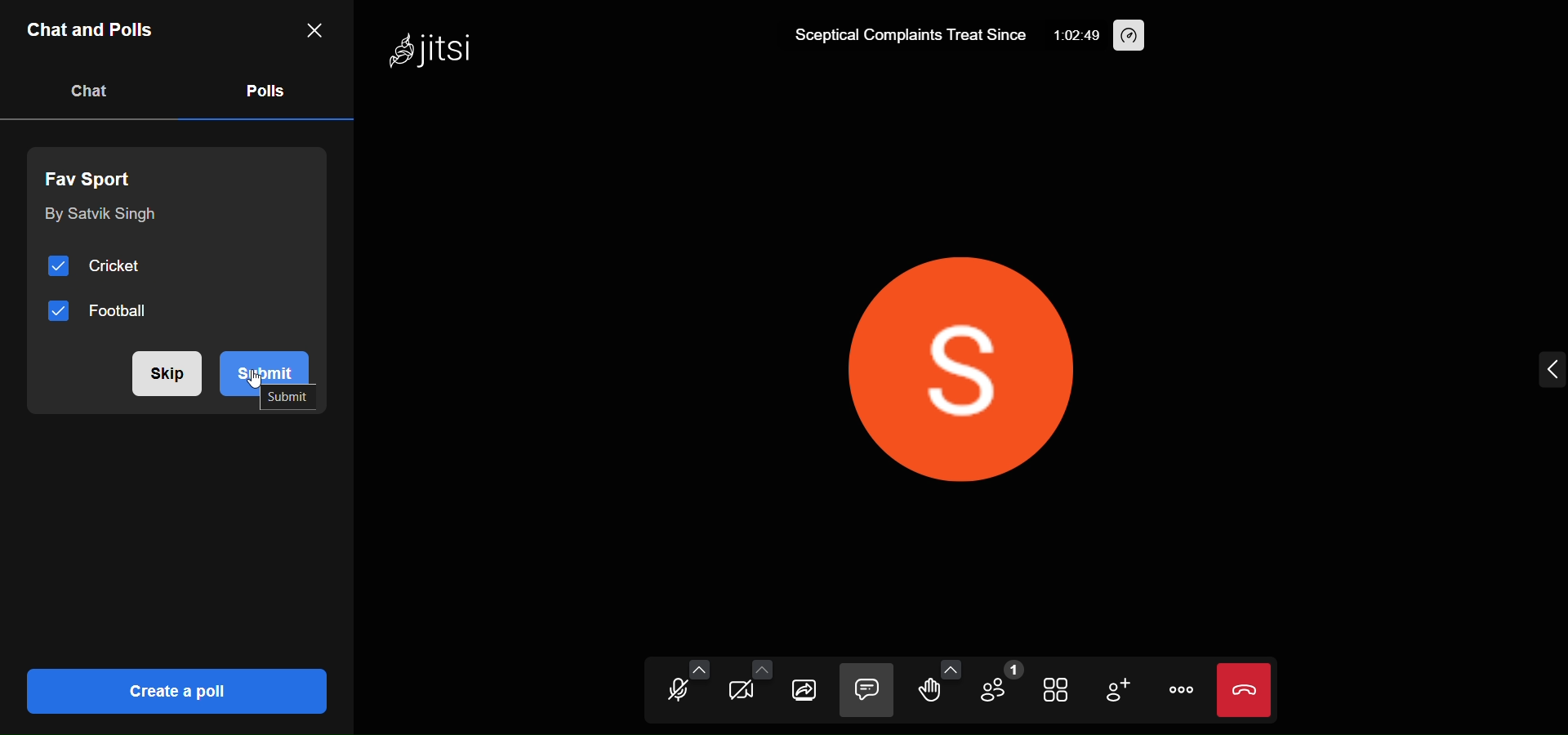 The image size is (1568, 735). I want to click on more camera option, so click(761, 671).